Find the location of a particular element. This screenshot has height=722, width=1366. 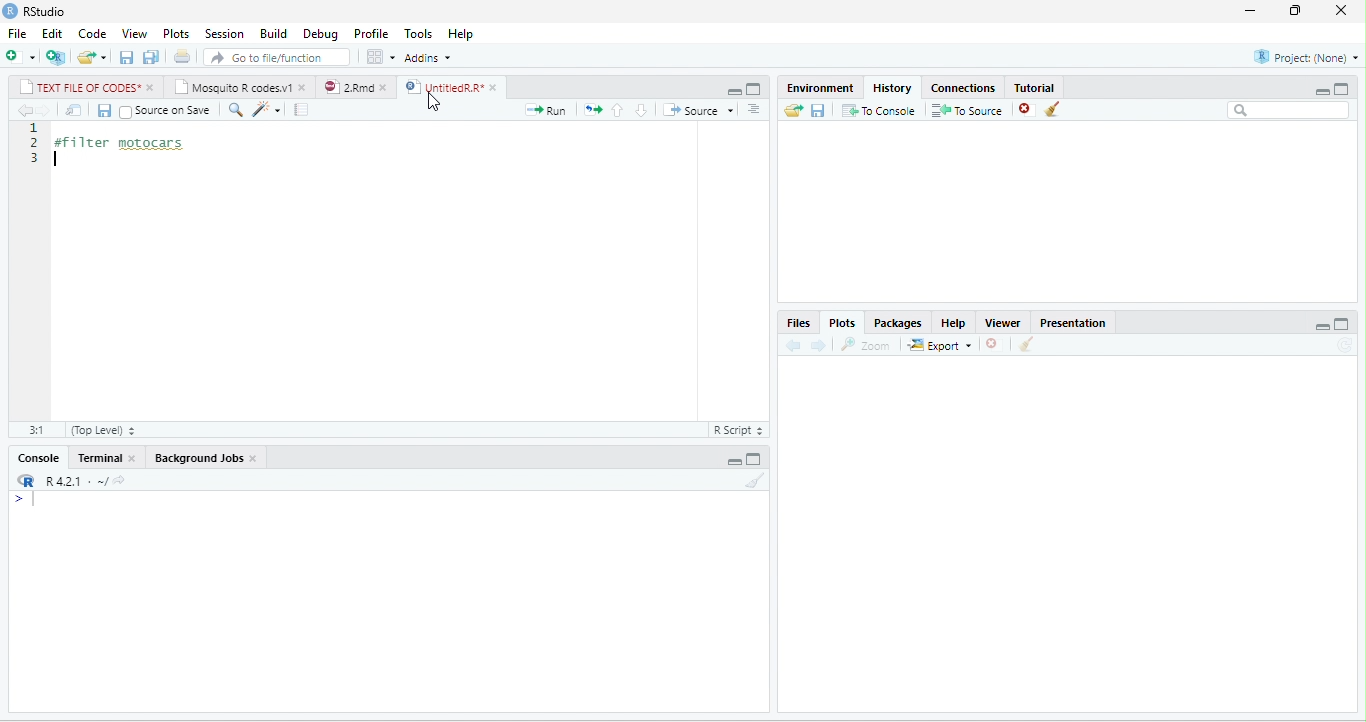

maximize is located at coordinates (753, 89).